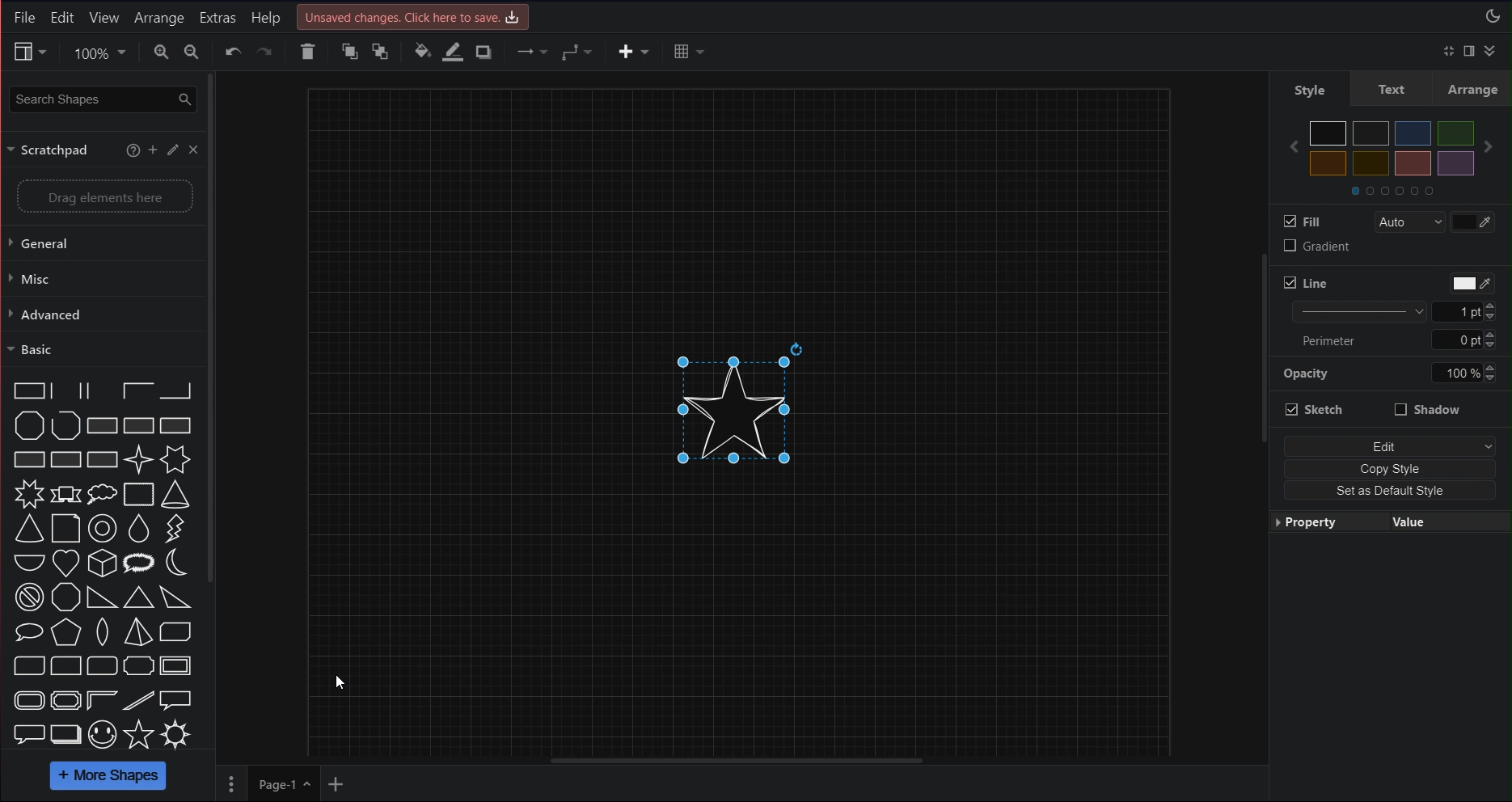 This screenshot has width=1512, height=802. What do you see at coordinates (65, 564) in the screenshot?
I see `heart` at bounding box center [65, 564].